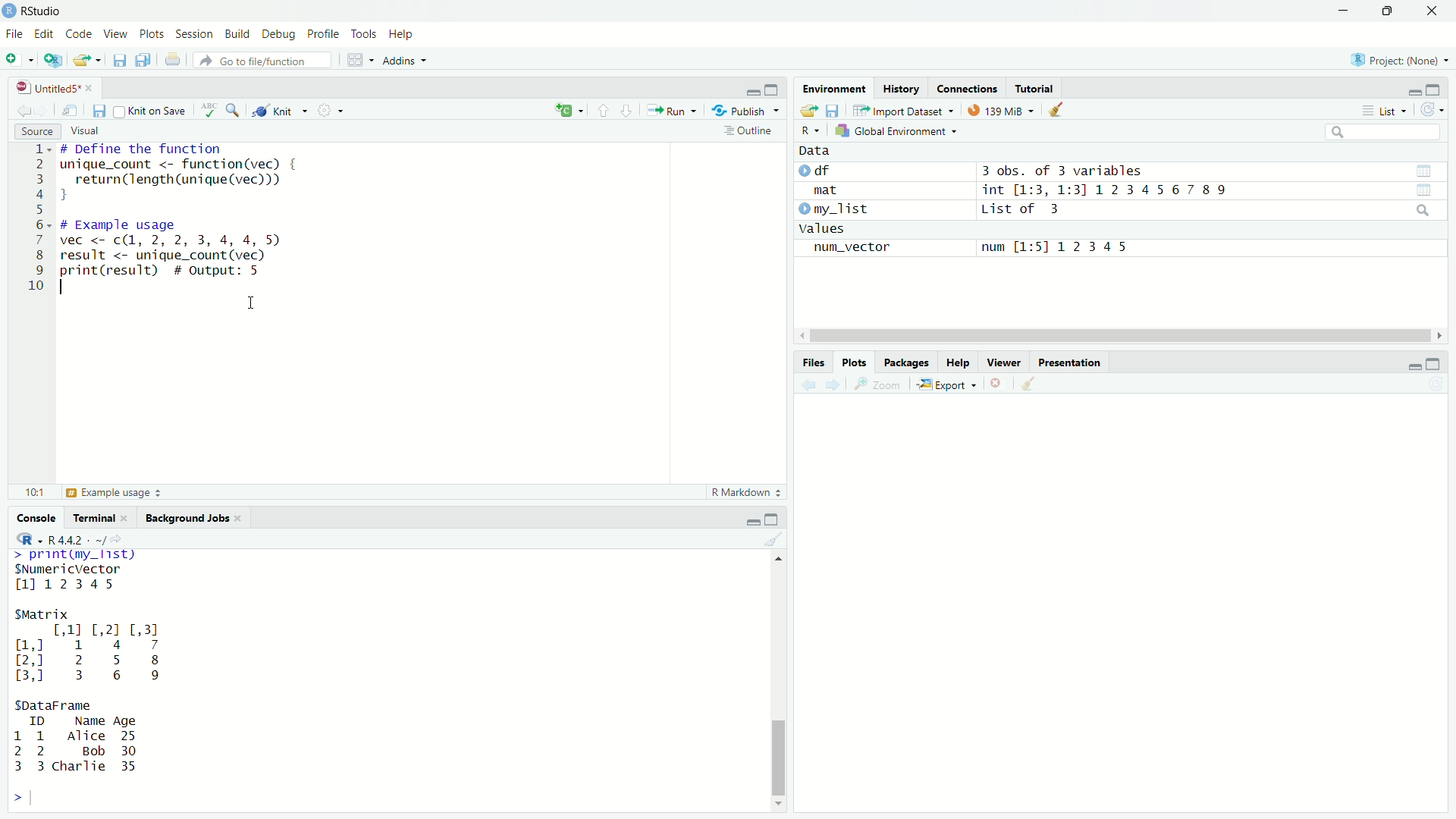  Describe the element at coordinates (153, 111) in the screenshot. I see `knit on save` at that location.